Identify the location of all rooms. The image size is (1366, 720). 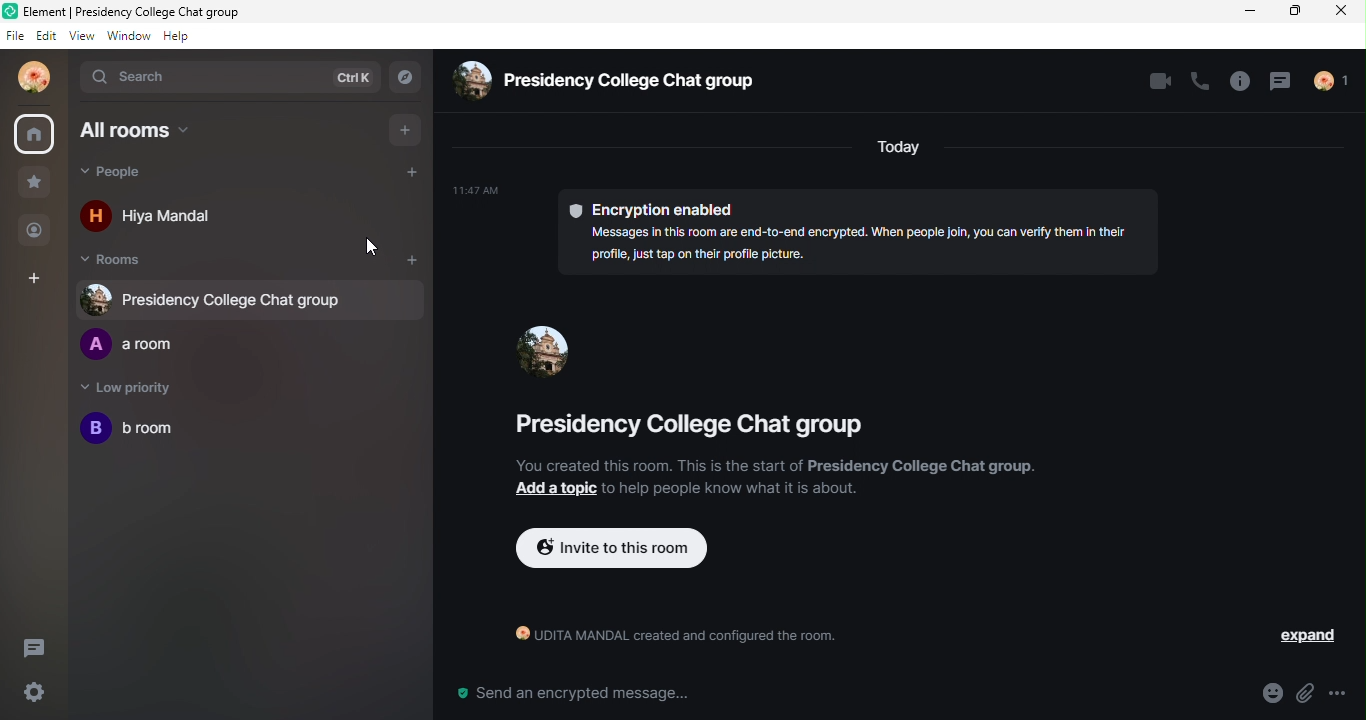
(144, 137).